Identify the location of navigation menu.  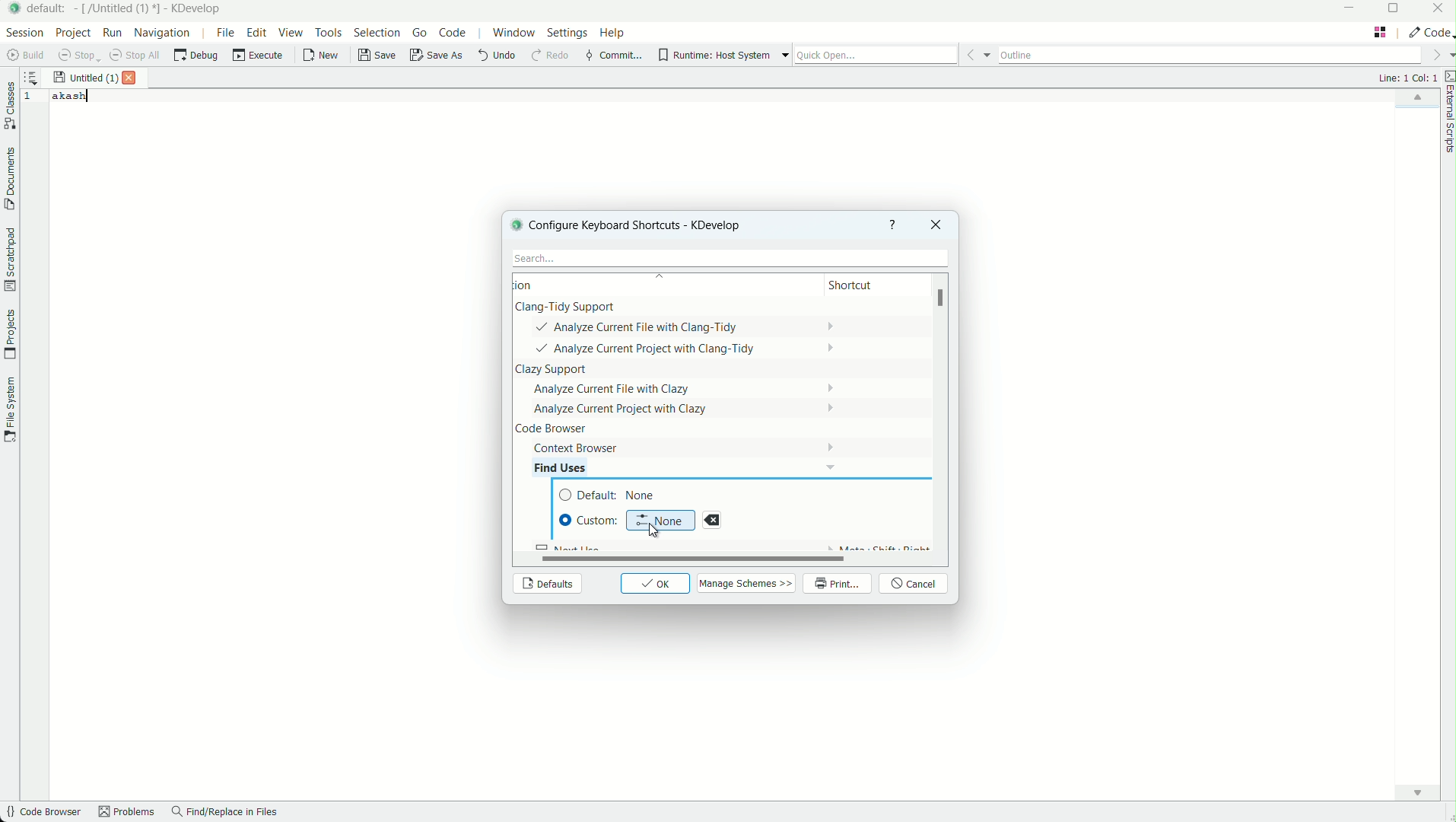
(163, 32).